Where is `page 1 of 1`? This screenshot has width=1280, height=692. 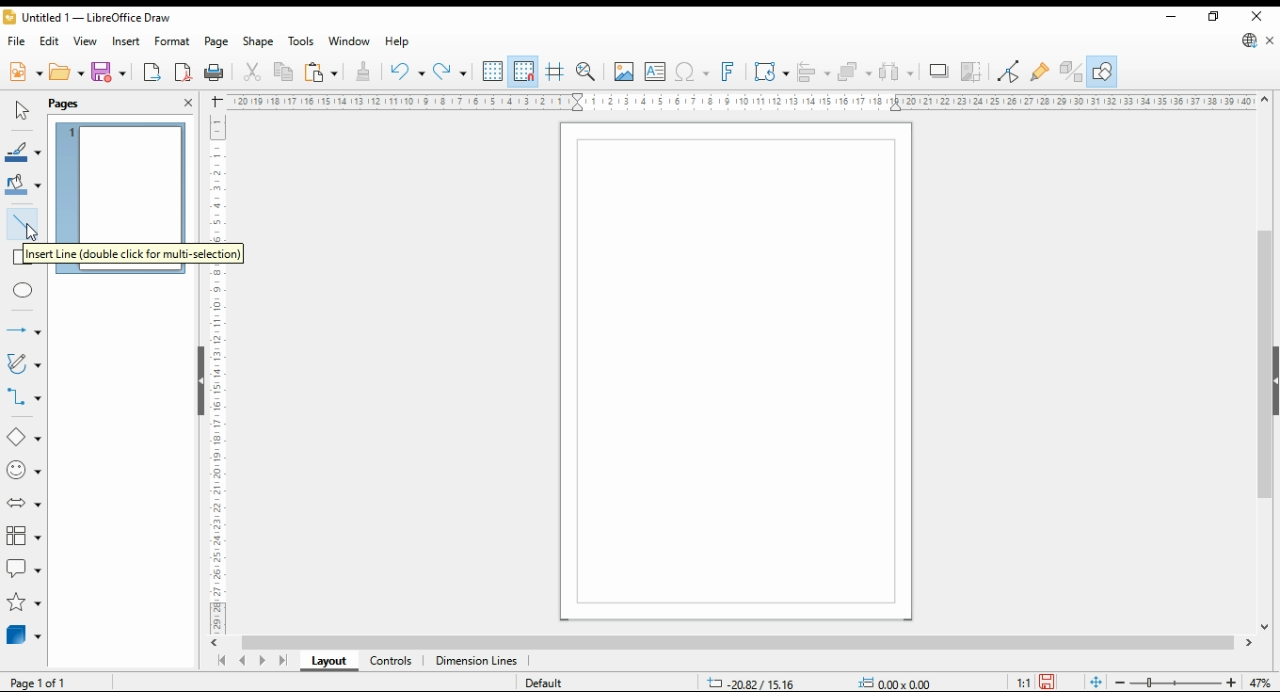
page 1 of 1 is located at coordinates (47, 682).